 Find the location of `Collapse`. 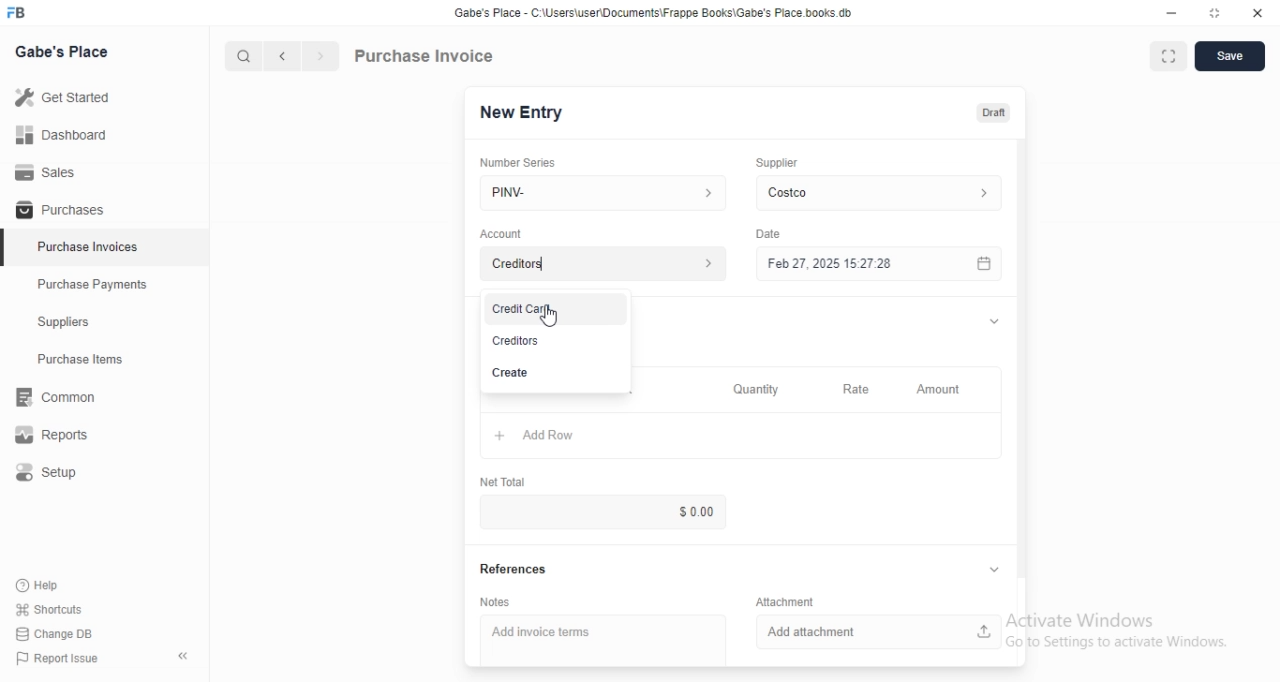

Collapse is located at coordinates (994, 321).